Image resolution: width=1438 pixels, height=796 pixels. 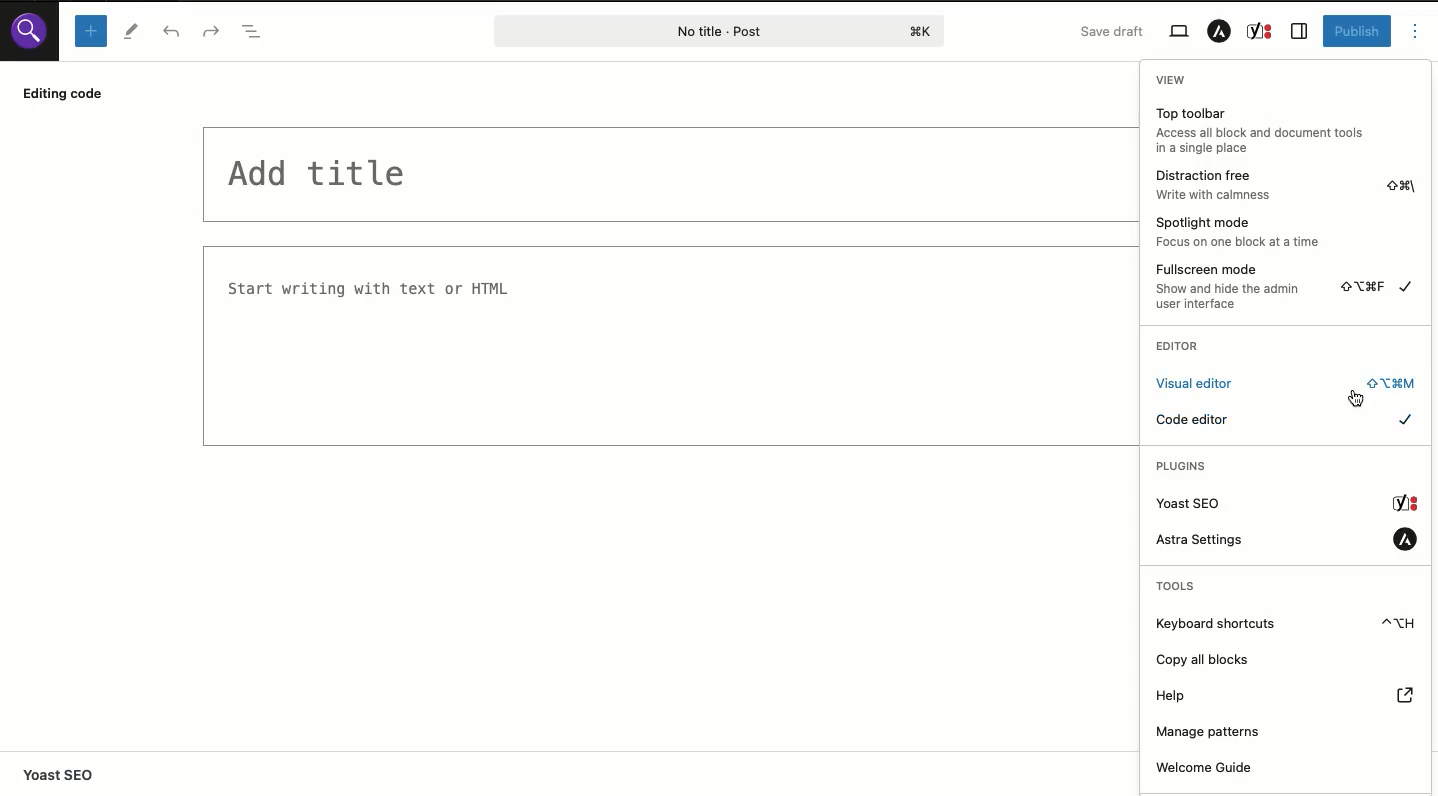 I want to click on Top toolbar, so click(x=1262, y=128).